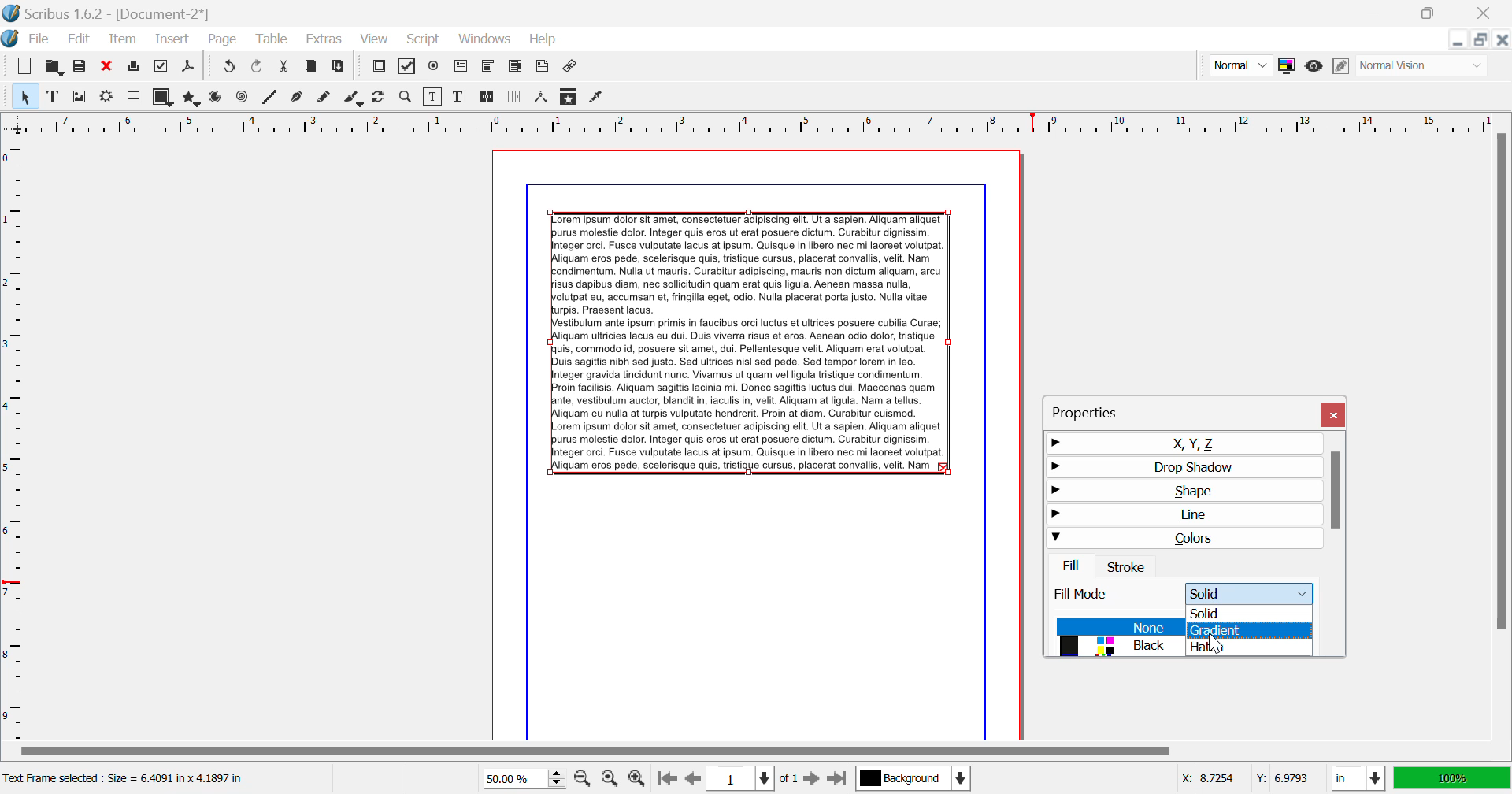 This screenshot has height=794, width=1512. Describe the element at coordinates (1251, 632) in the screenshot. I see `Gradient` at that location.